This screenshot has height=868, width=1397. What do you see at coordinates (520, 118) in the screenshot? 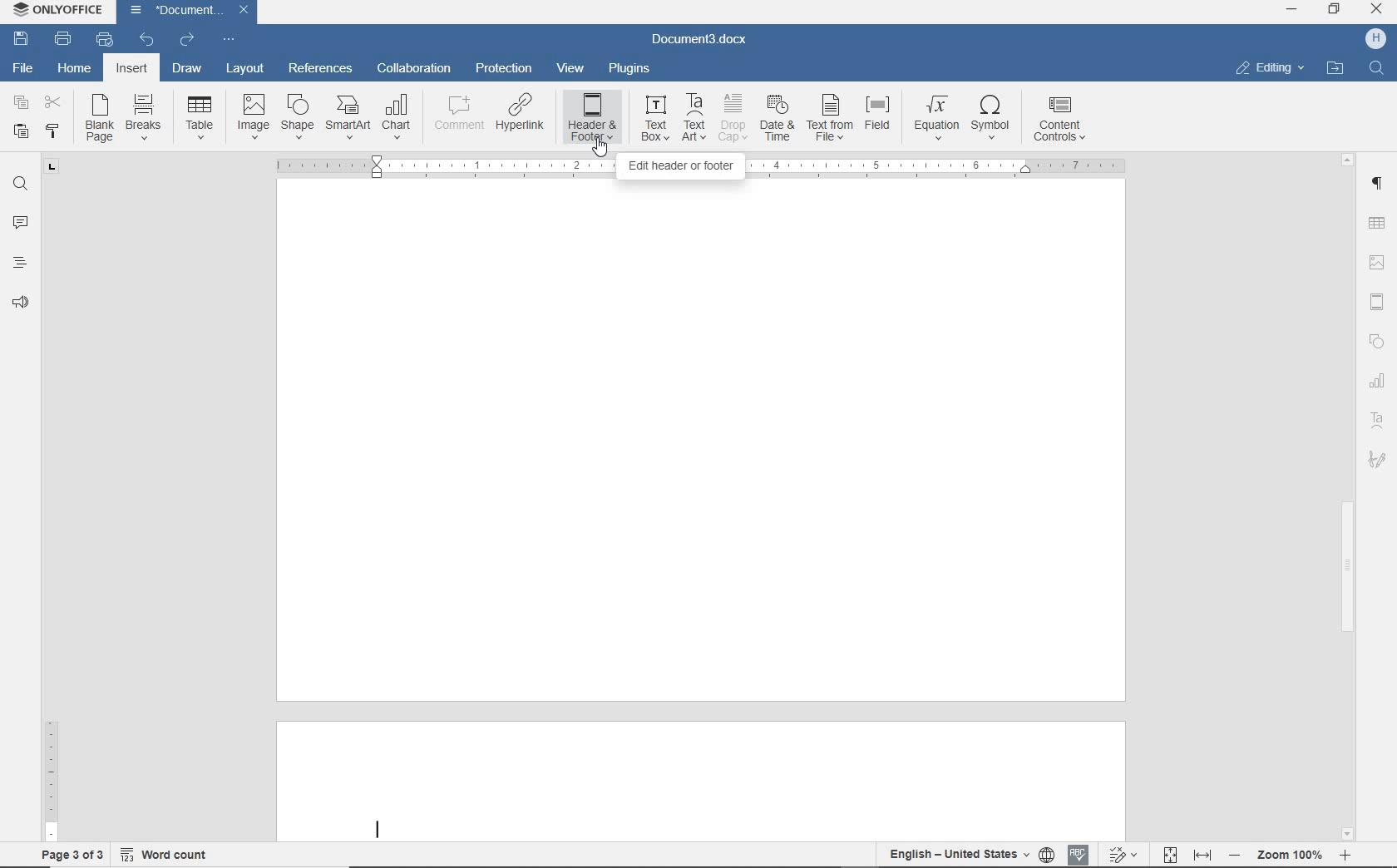
I see `HYPERLINK` at bounding box center [520, 118].